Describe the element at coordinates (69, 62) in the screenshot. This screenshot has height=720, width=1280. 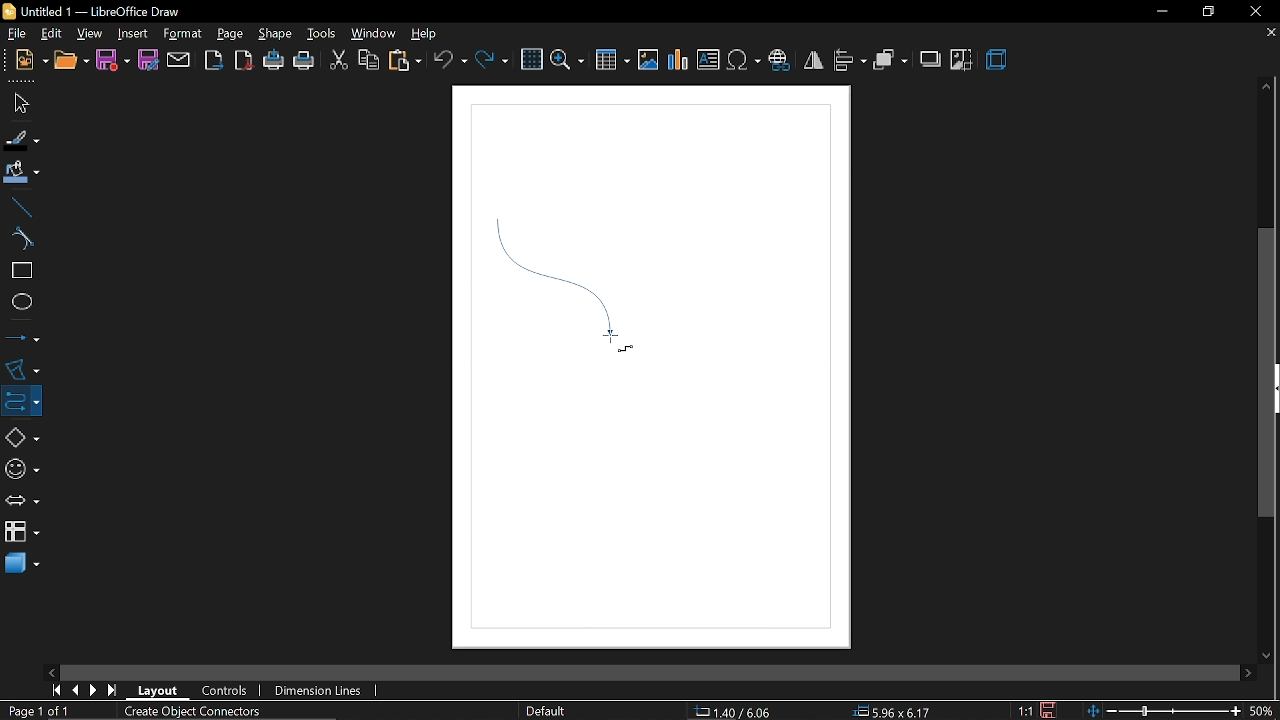
I see `open` at that location.